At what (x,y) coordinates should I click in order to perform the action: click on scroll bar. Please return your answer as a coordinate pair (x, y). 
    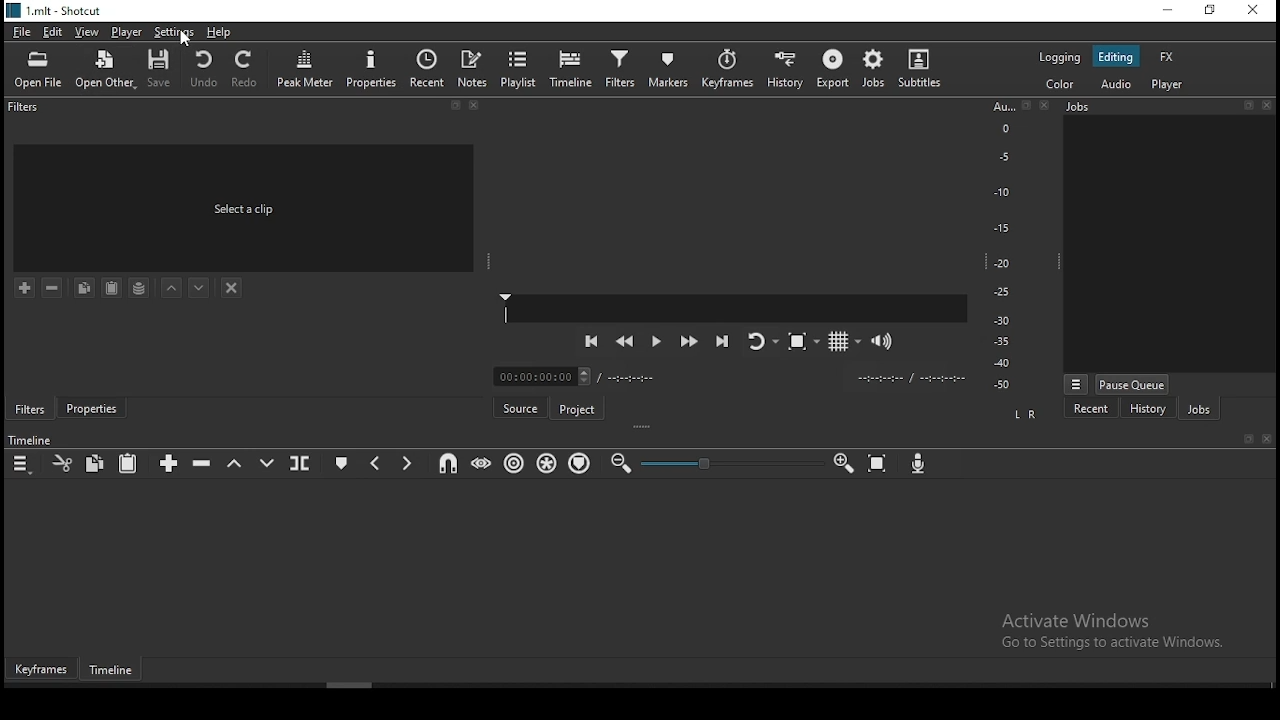
    Looking at the image, I should click on (378, 686).